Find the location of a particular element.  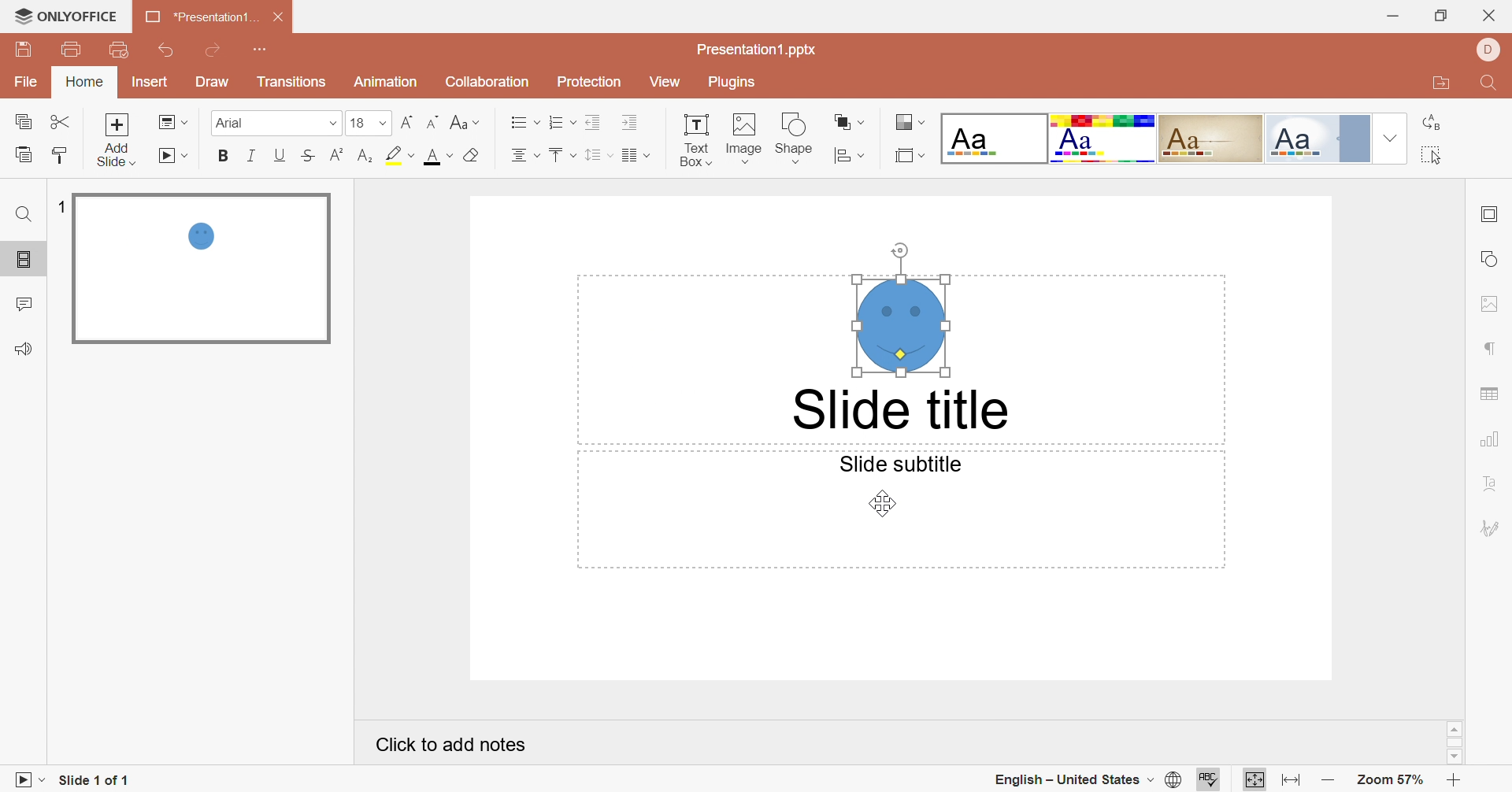

DELL is located at coordinates (1487, 49).